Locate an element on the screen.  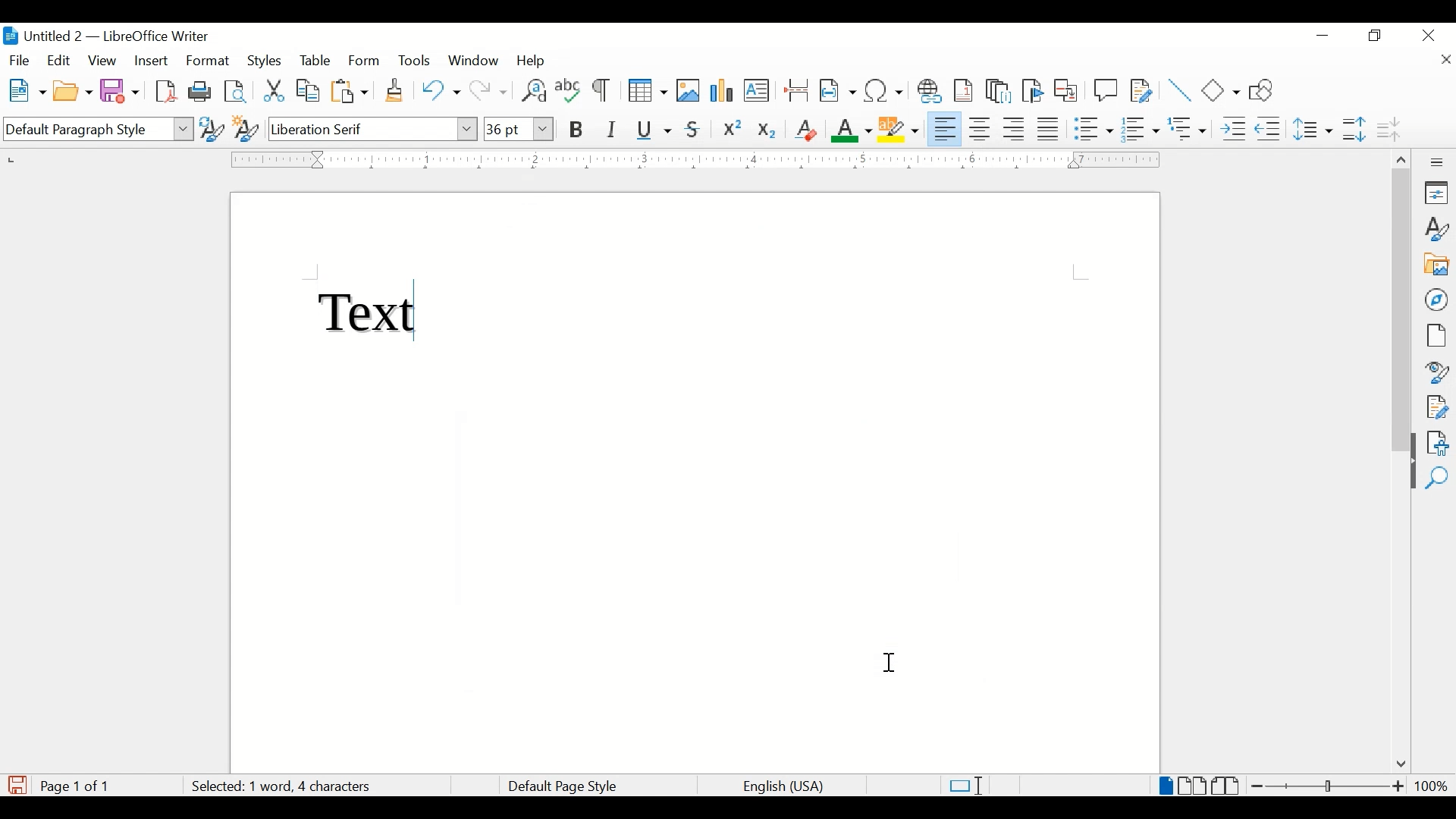
styles is located at coordinates (266, 61).